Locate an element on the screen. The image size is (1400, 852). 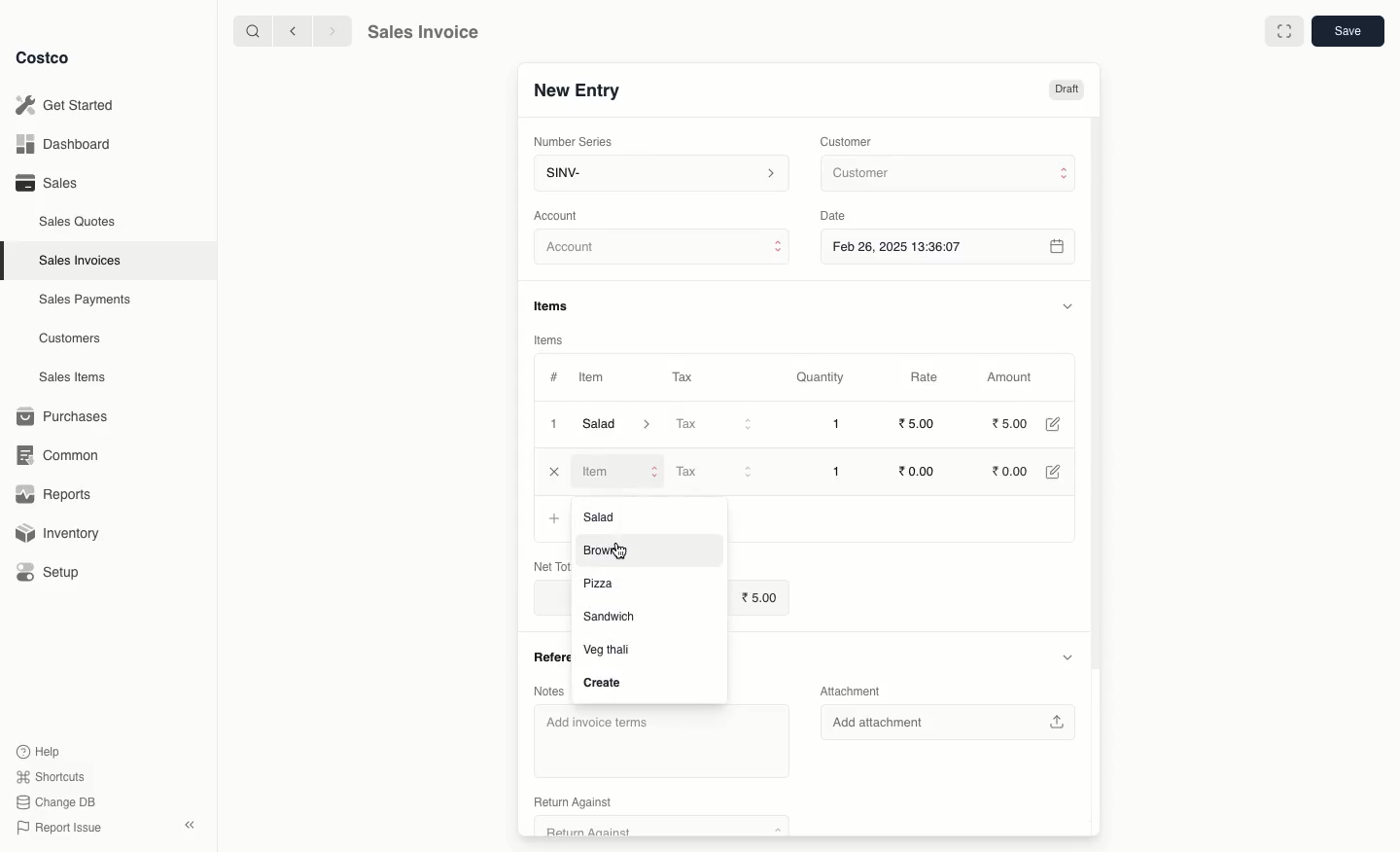
‘Account is located at coordinates (560, 215).